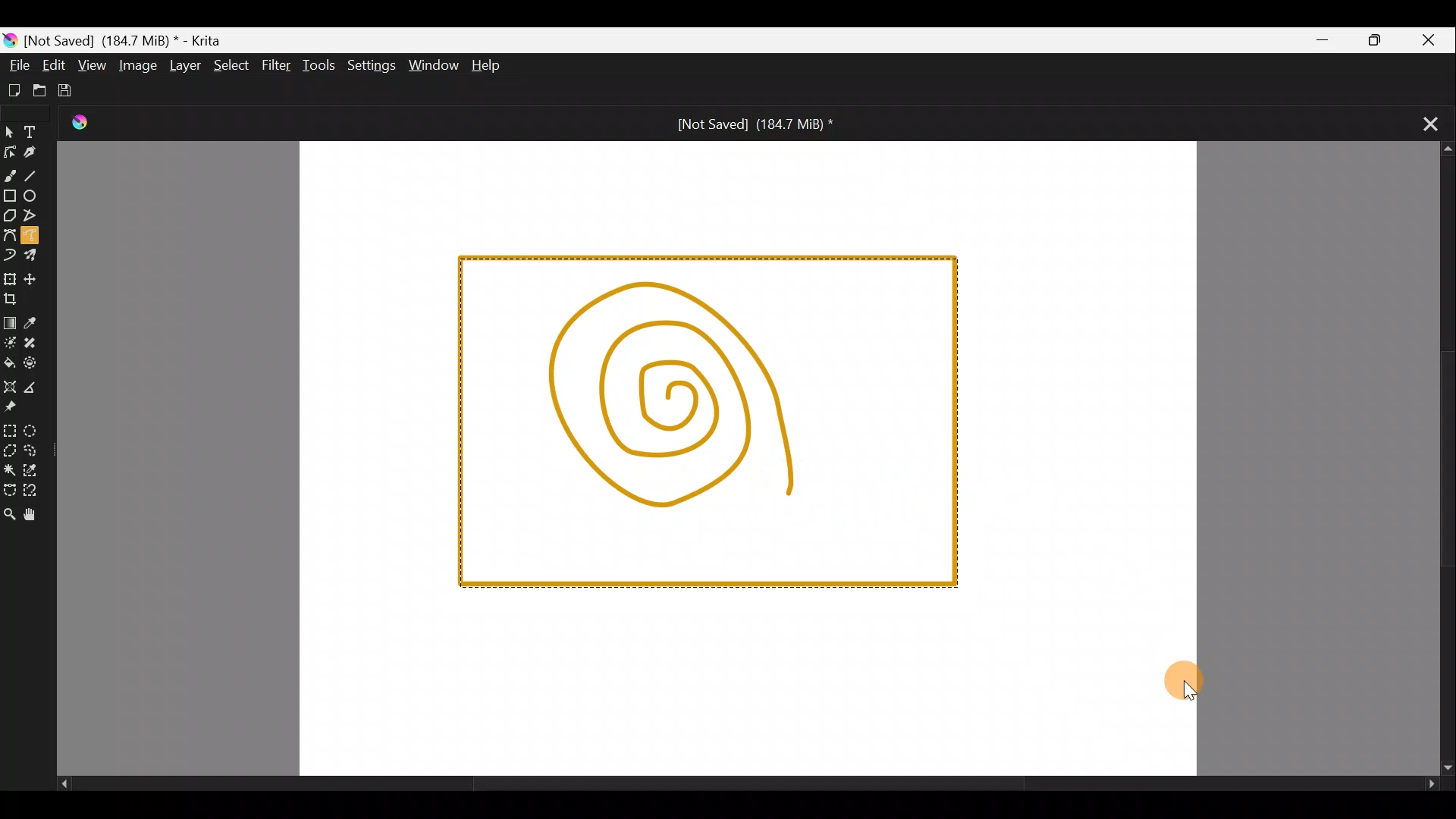  Describe the element at coordinates (276, 67) in the screenshot. I see `Filter` at that location.